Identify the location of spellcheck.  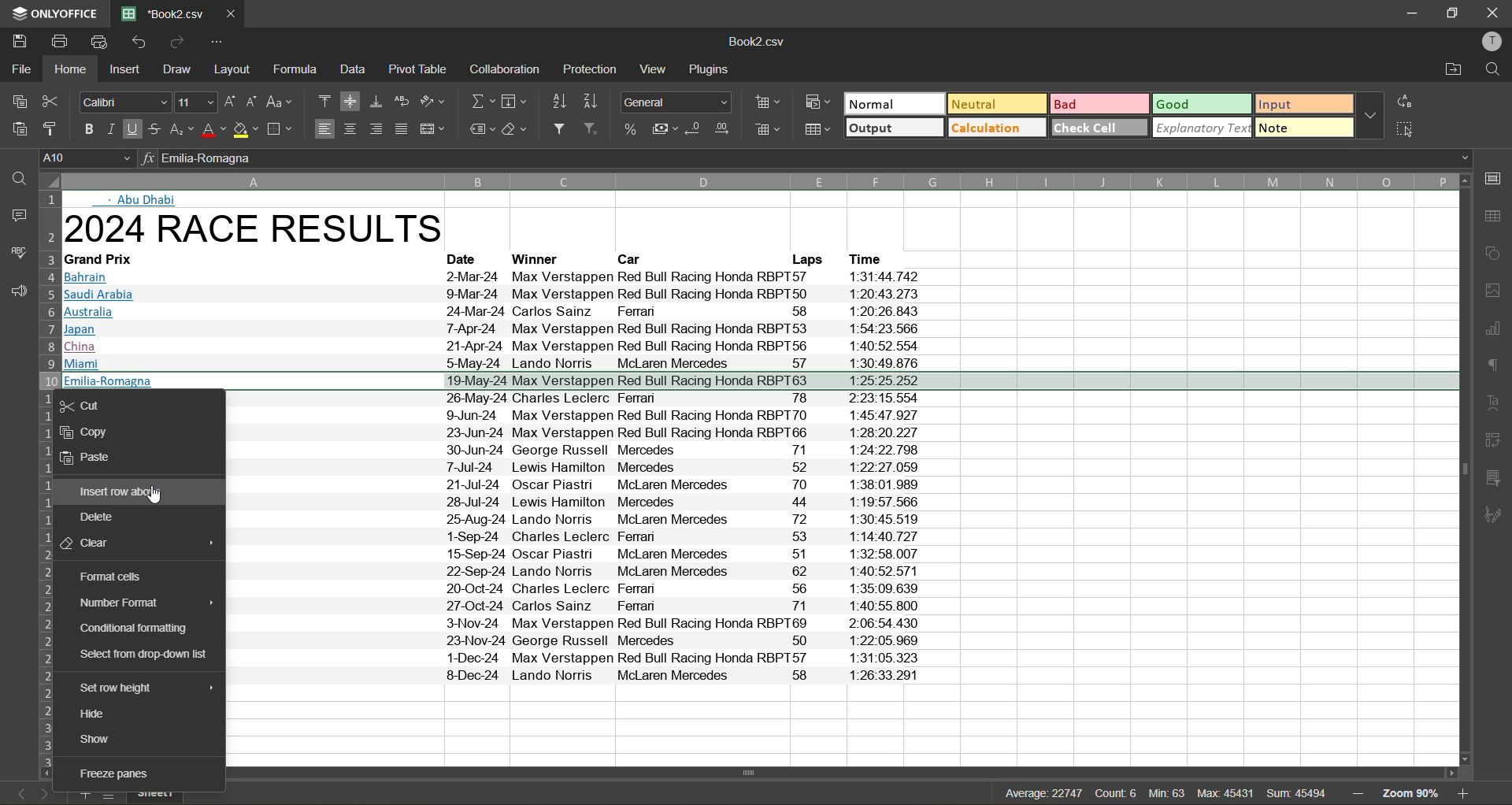
(15, 254).